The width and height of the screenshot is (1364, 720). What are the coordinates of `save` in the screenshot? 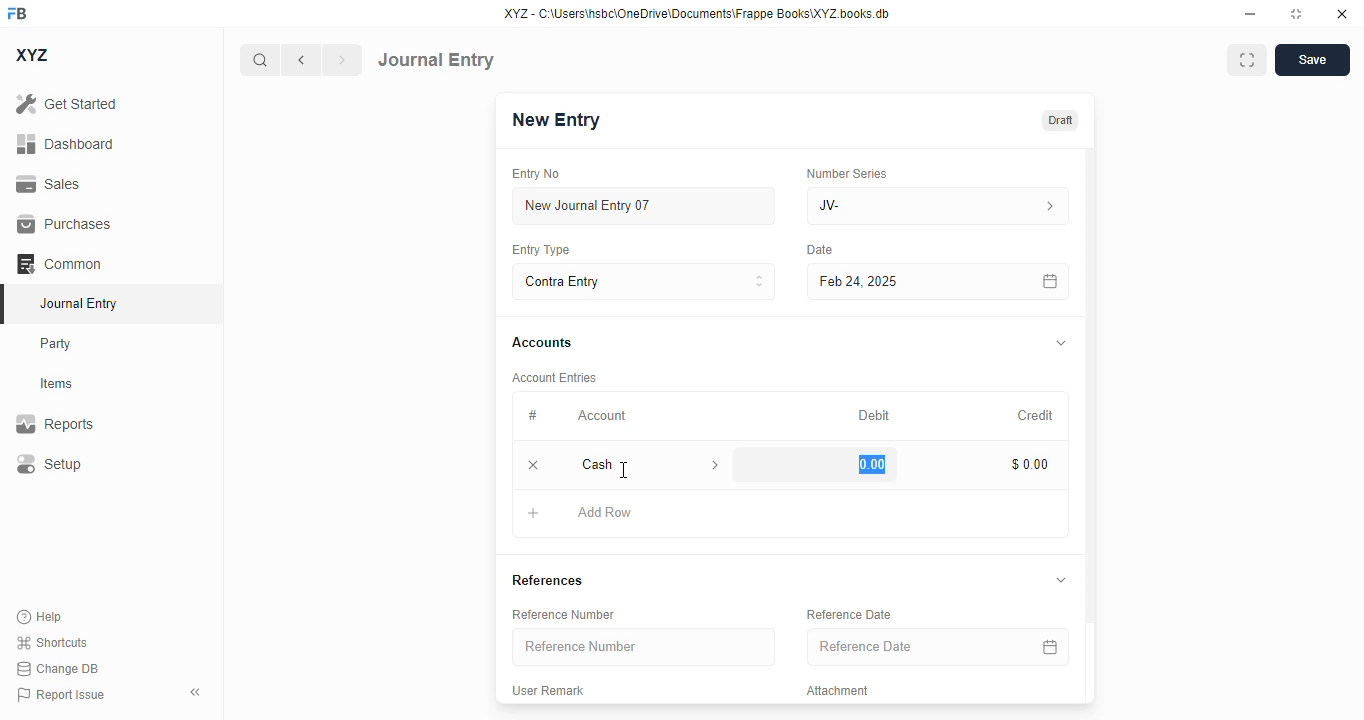 It's located at (1312, 60).